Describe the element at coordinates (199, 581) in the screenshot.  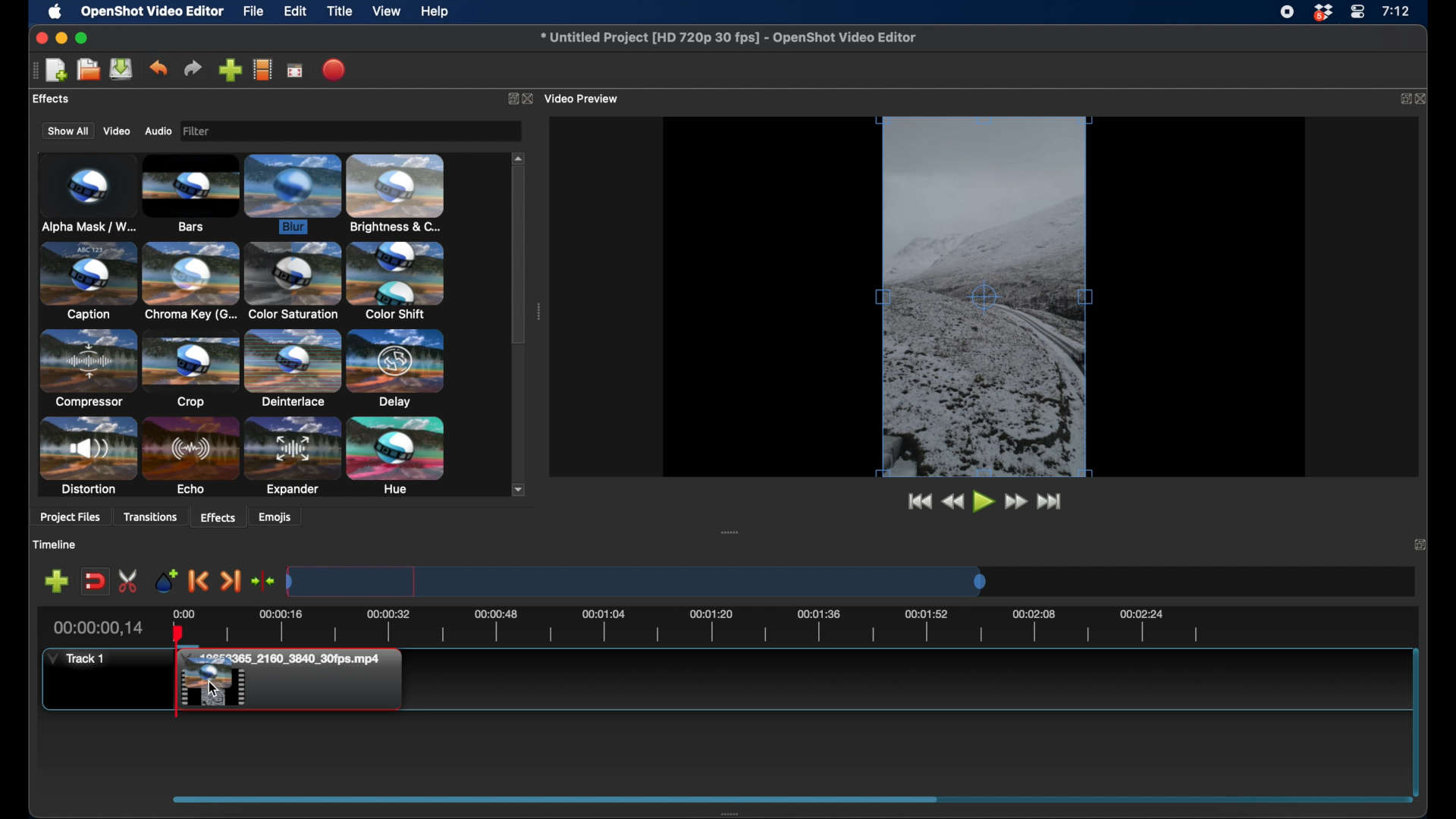
I see `previous marker` at that location.